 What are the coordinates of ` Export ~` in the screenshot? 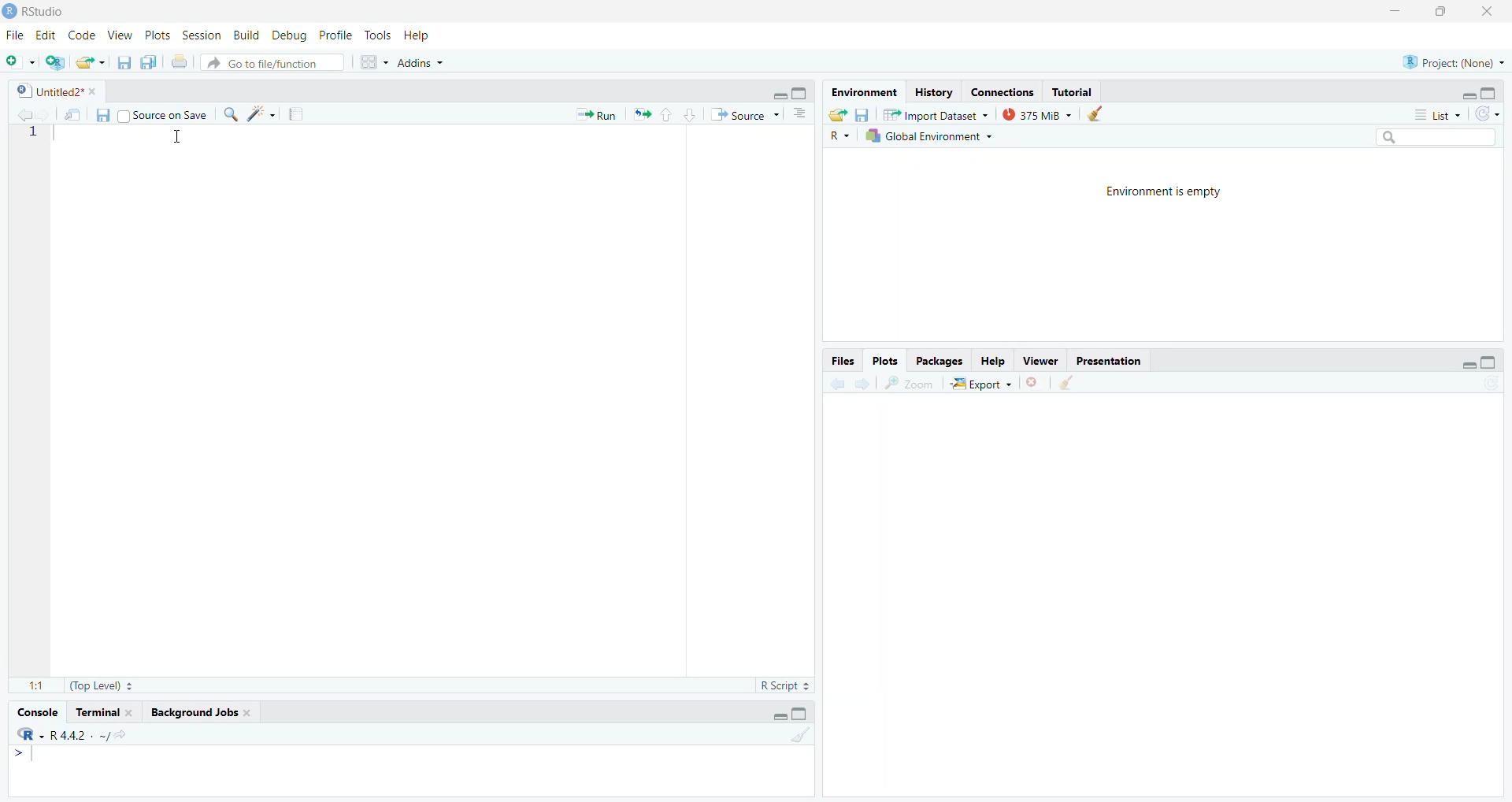 It's located at (982, 384).